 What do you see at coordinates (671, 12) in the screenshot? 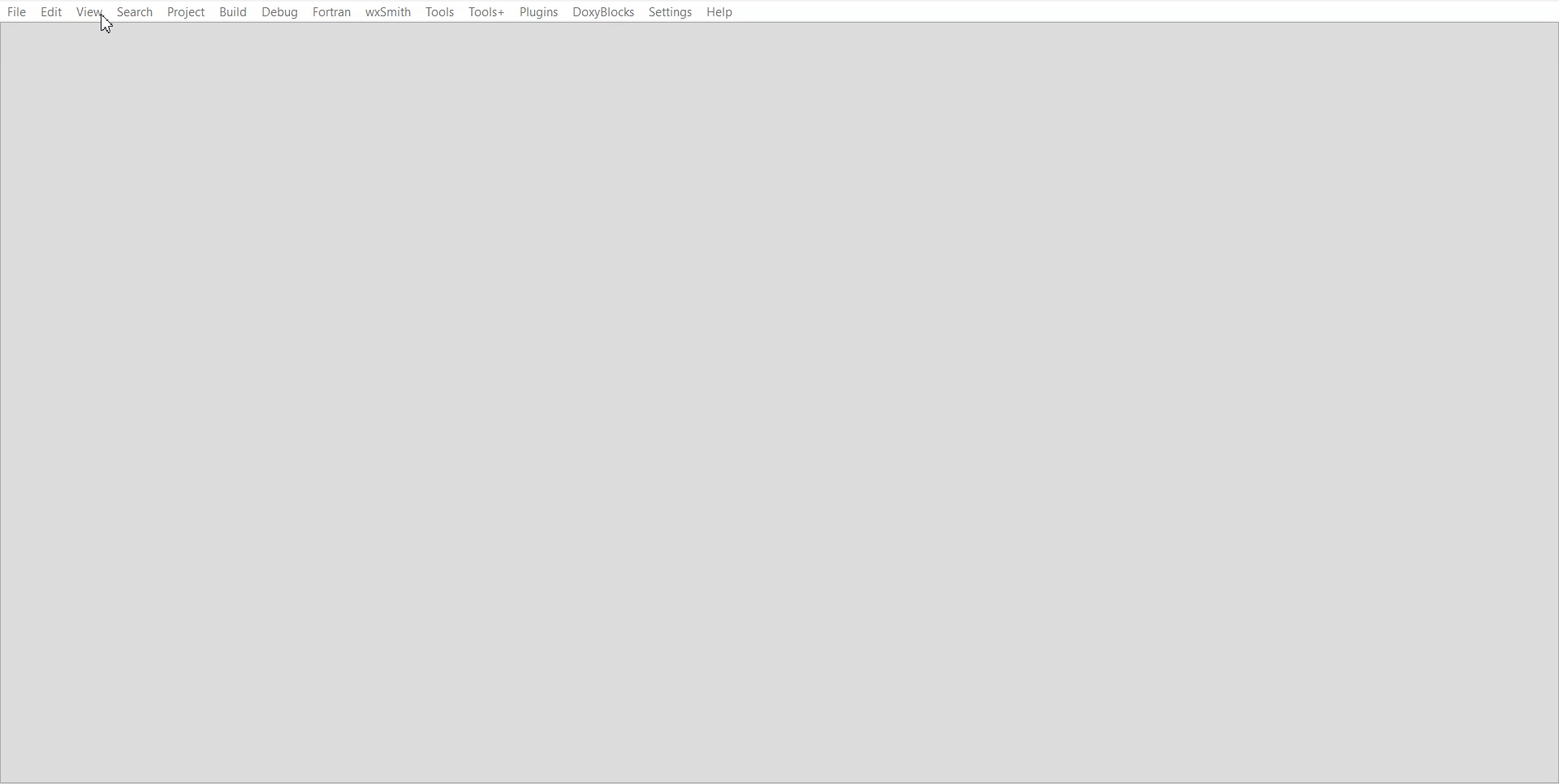
I see `Settings` at bounding box center [671, 12].